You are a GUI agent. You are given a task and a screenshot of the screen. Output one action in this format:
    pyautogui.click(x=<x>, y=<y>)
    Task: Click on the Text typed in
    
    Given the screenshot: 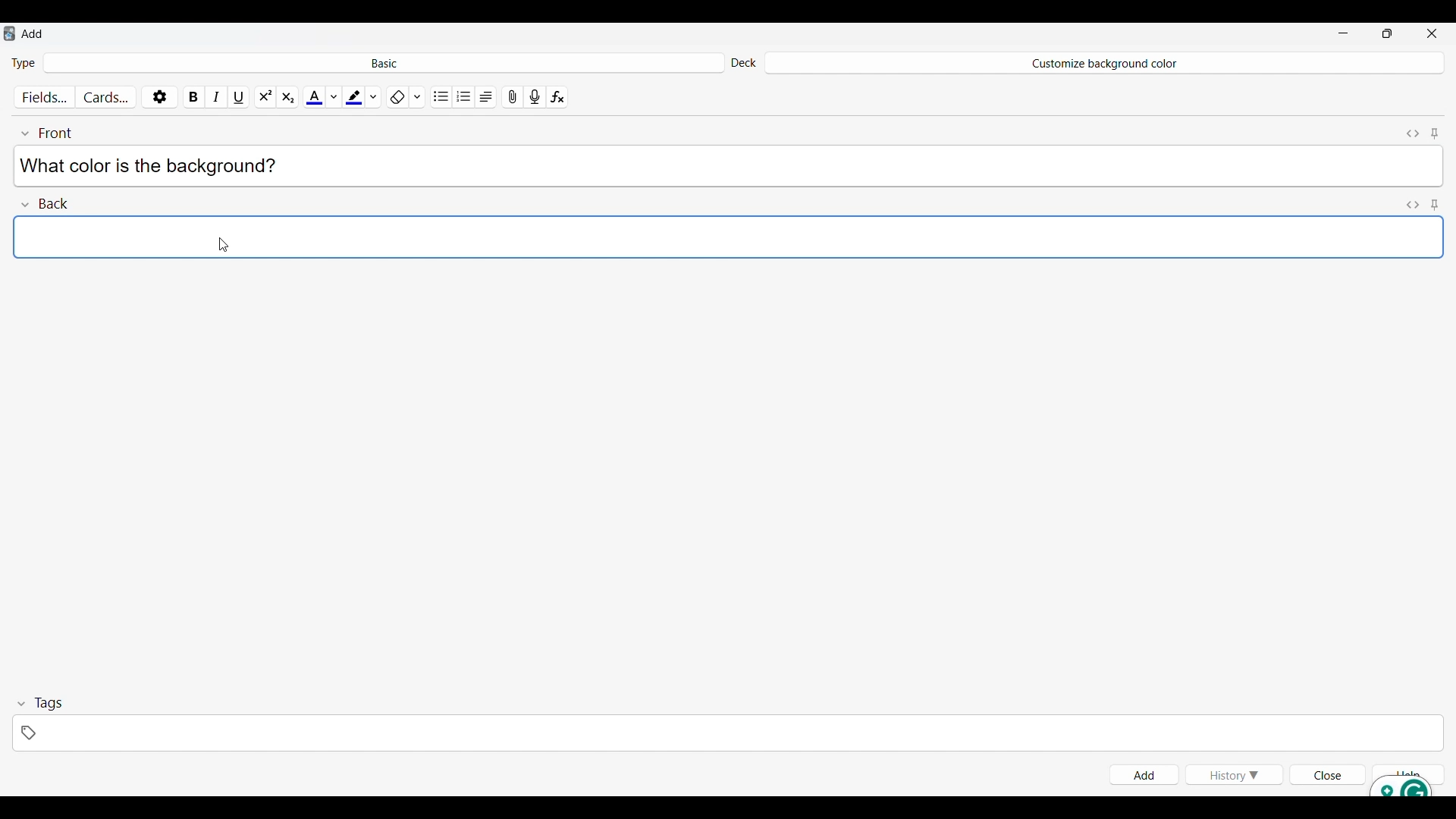 What is the action you would take?
    pyautogui.click(x=155, y=165)
    